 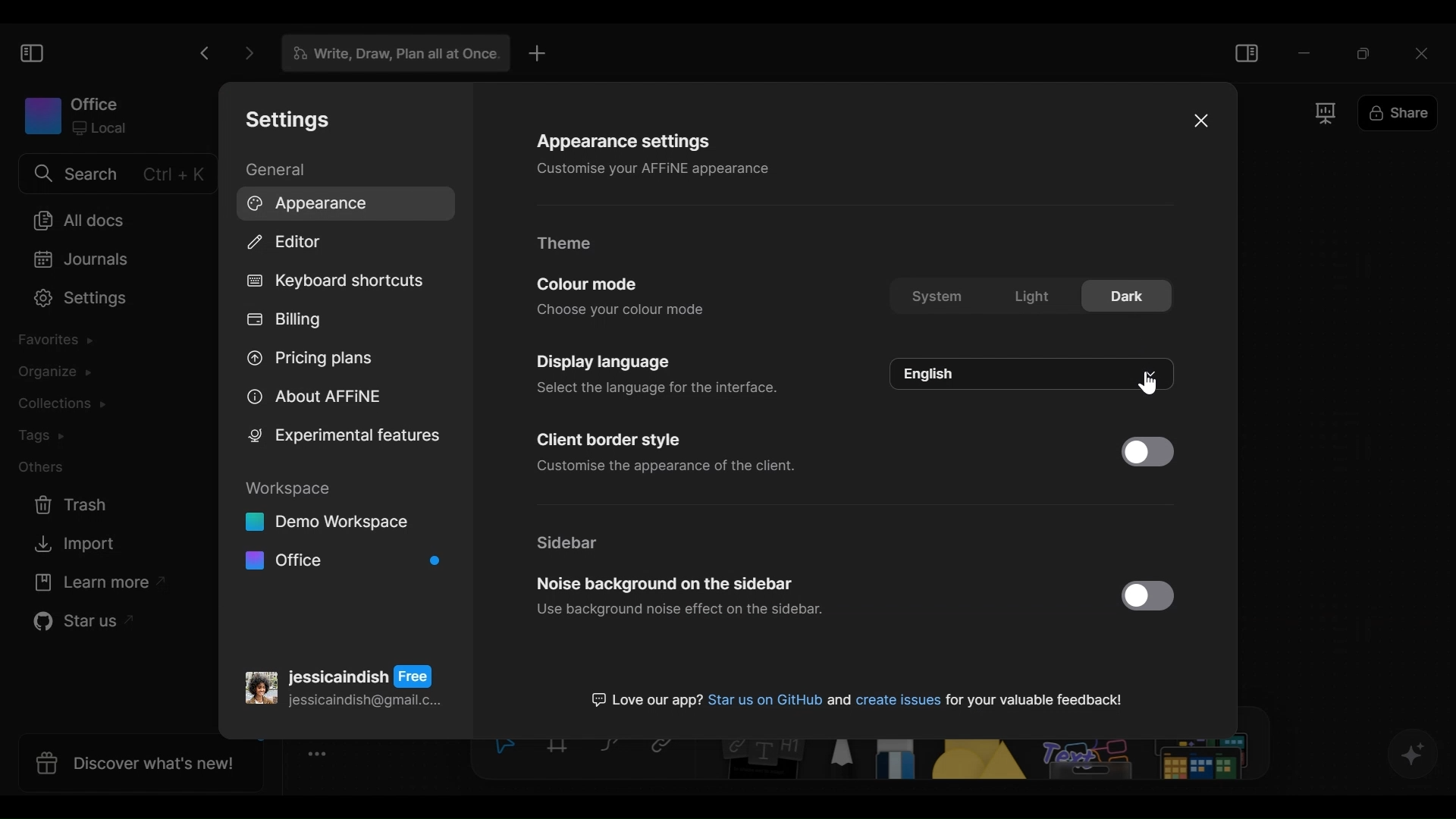 I want to click on Curve, so click(x=612, y=748).